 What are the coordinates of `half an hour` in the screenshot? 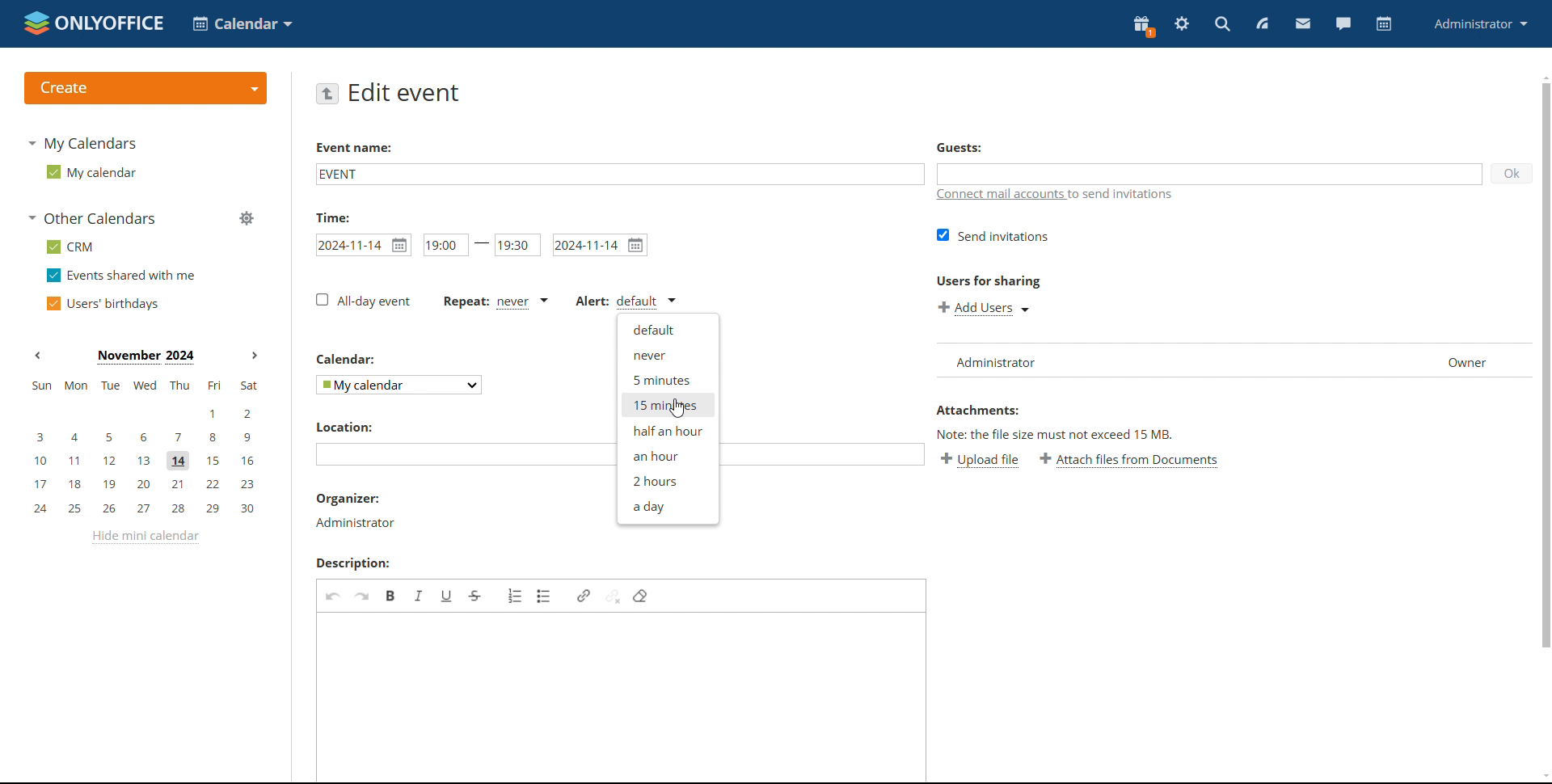 It's located at (666, 431).